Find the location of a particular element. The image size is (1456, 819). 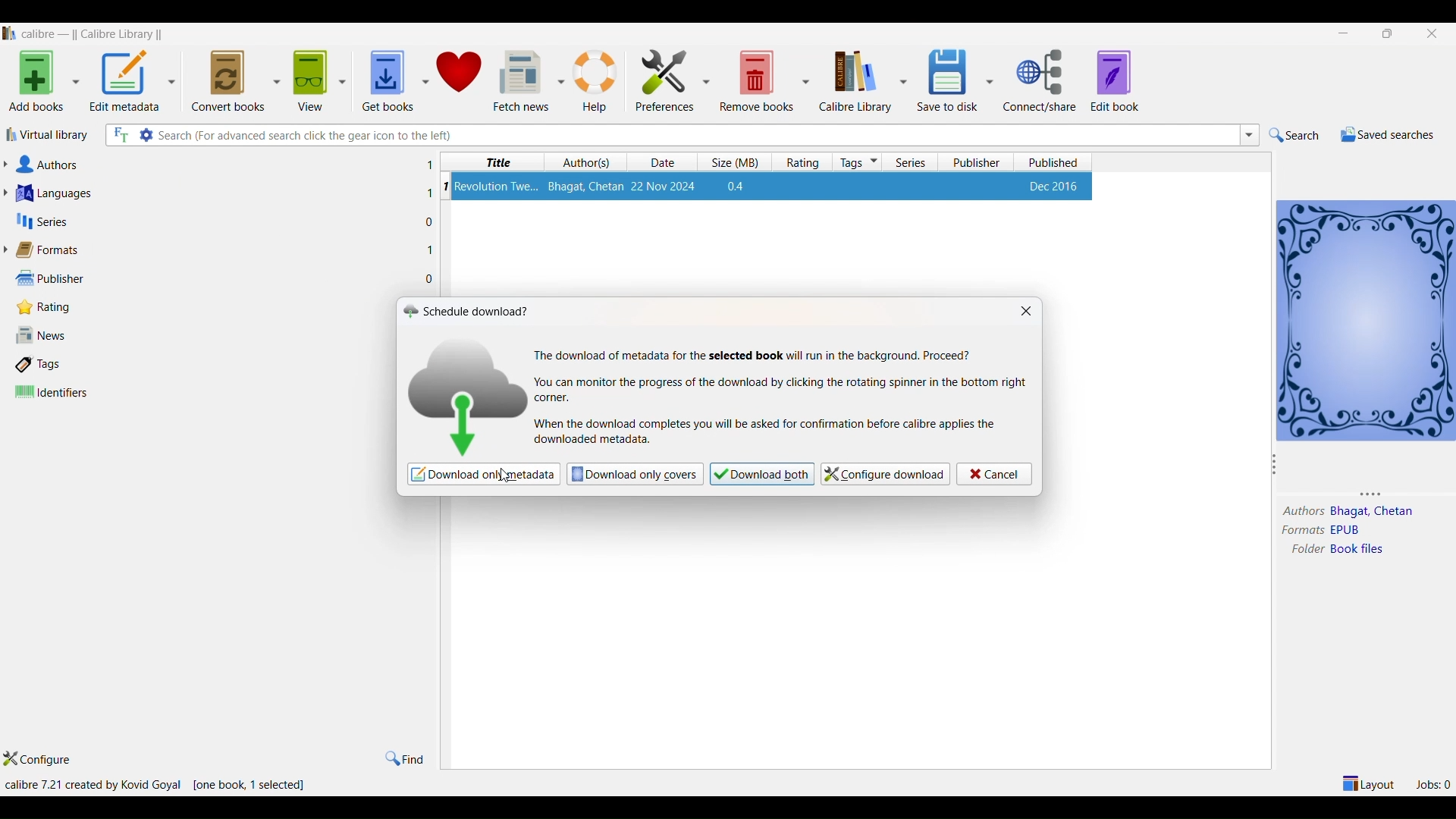

format type is located at coordinates (1349, 530).